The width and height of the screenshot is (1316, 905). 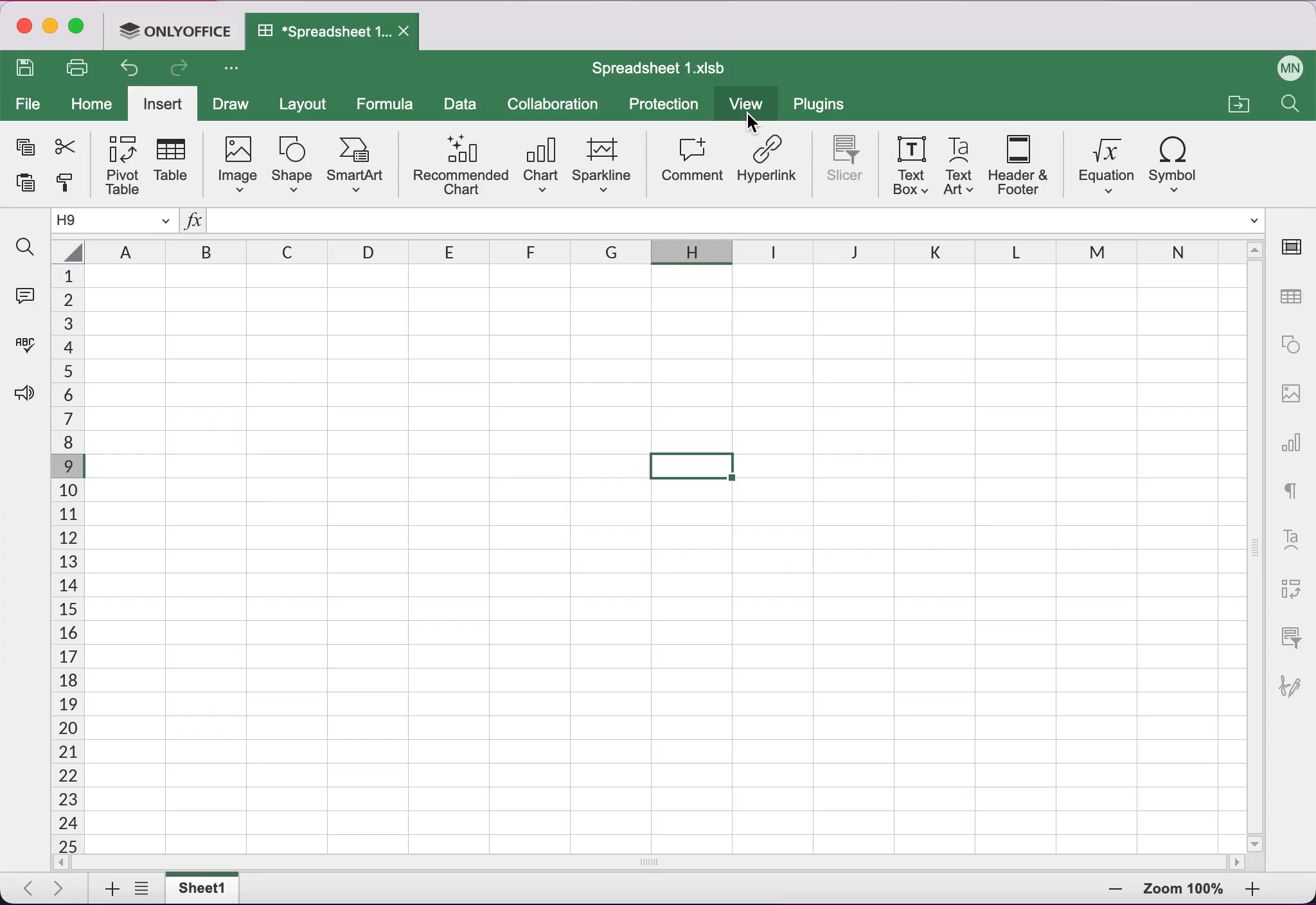 What do you see at coordinates (28, 183) in the screenshot?
I see `paste` at bounding box center [28, 183].